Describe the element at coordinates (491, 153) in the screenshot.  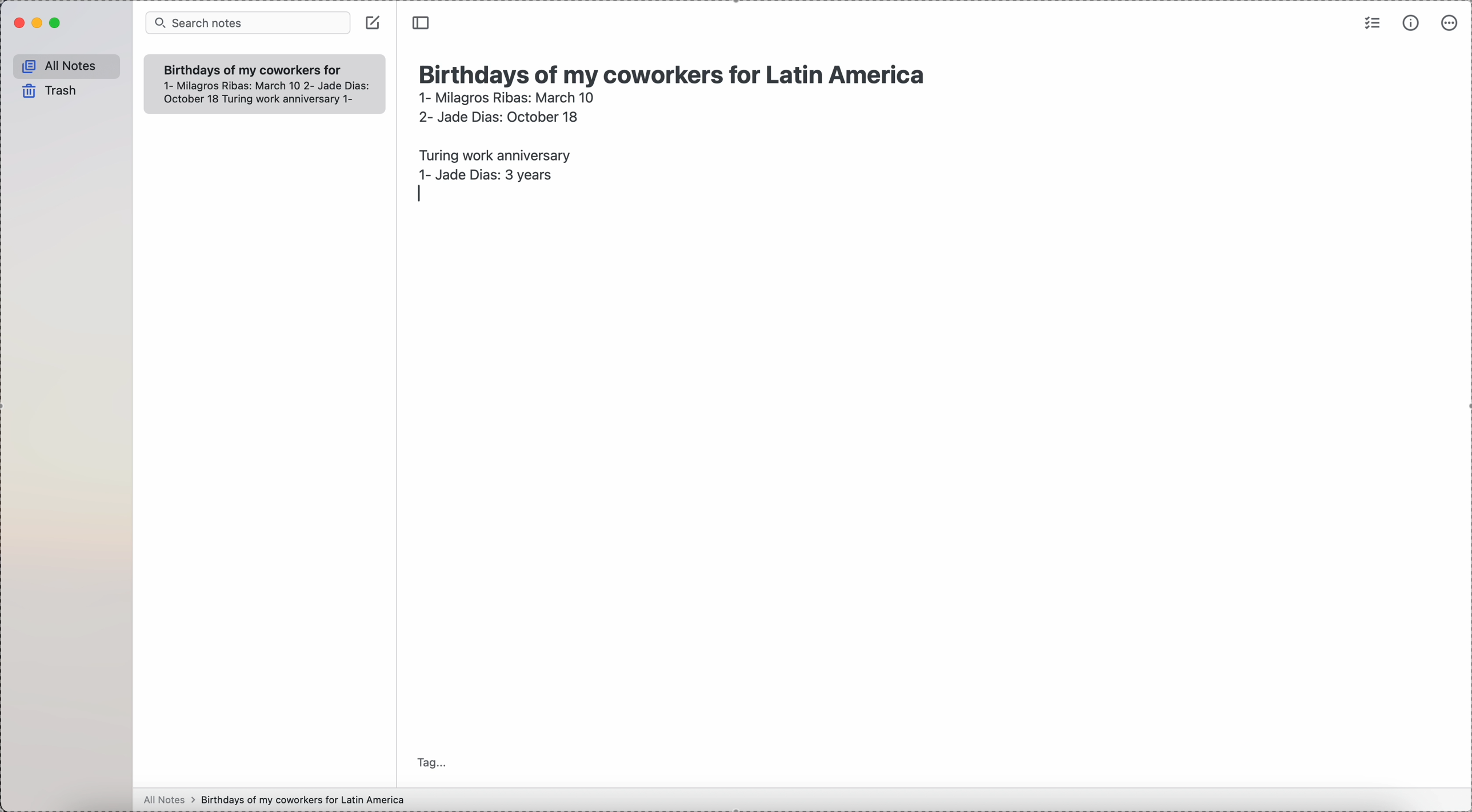
I see `Turing work anniversary` at that location.